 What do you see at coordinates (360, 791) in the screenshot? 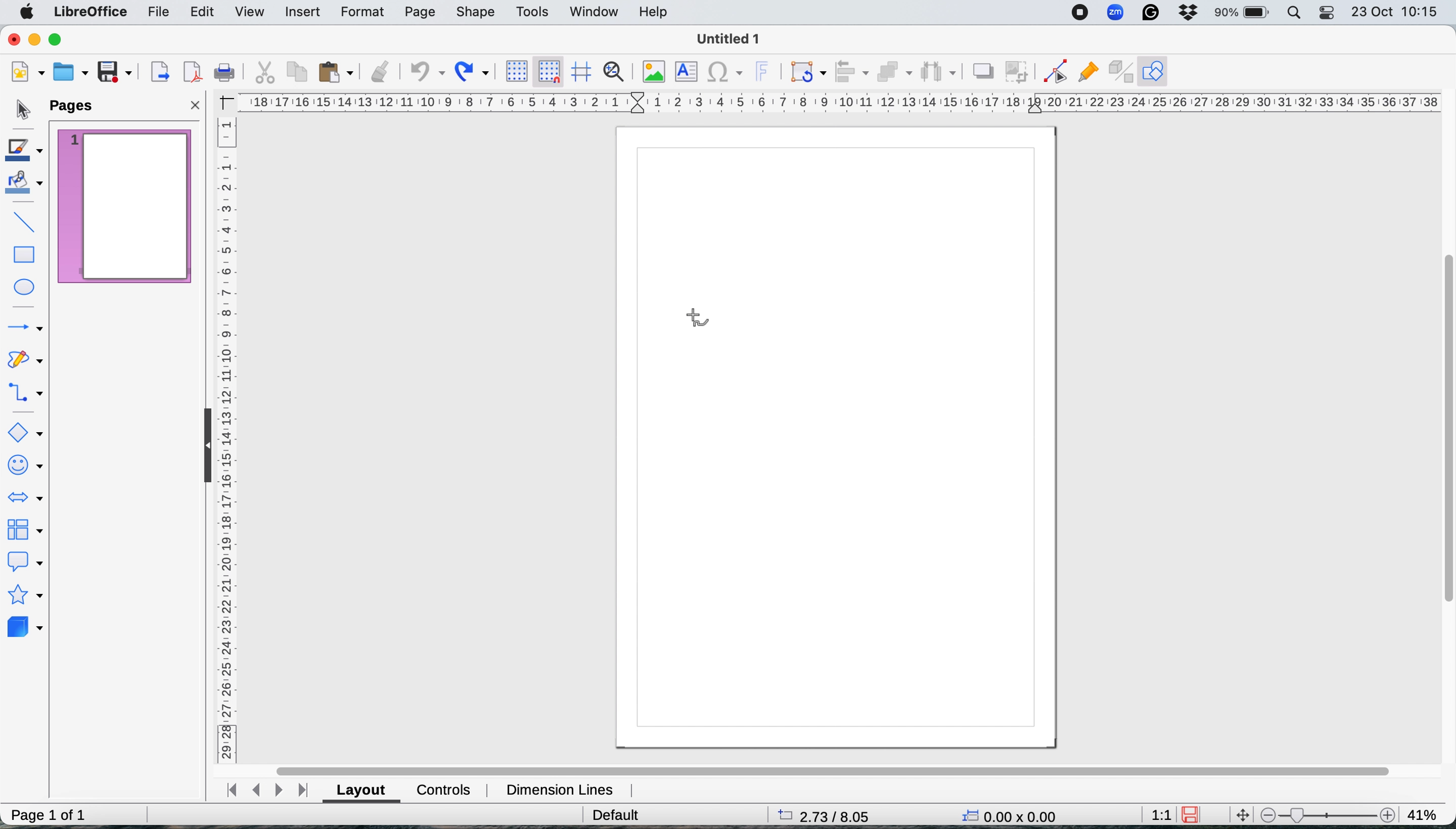
I see `layout` at bounding box center [360, 791].